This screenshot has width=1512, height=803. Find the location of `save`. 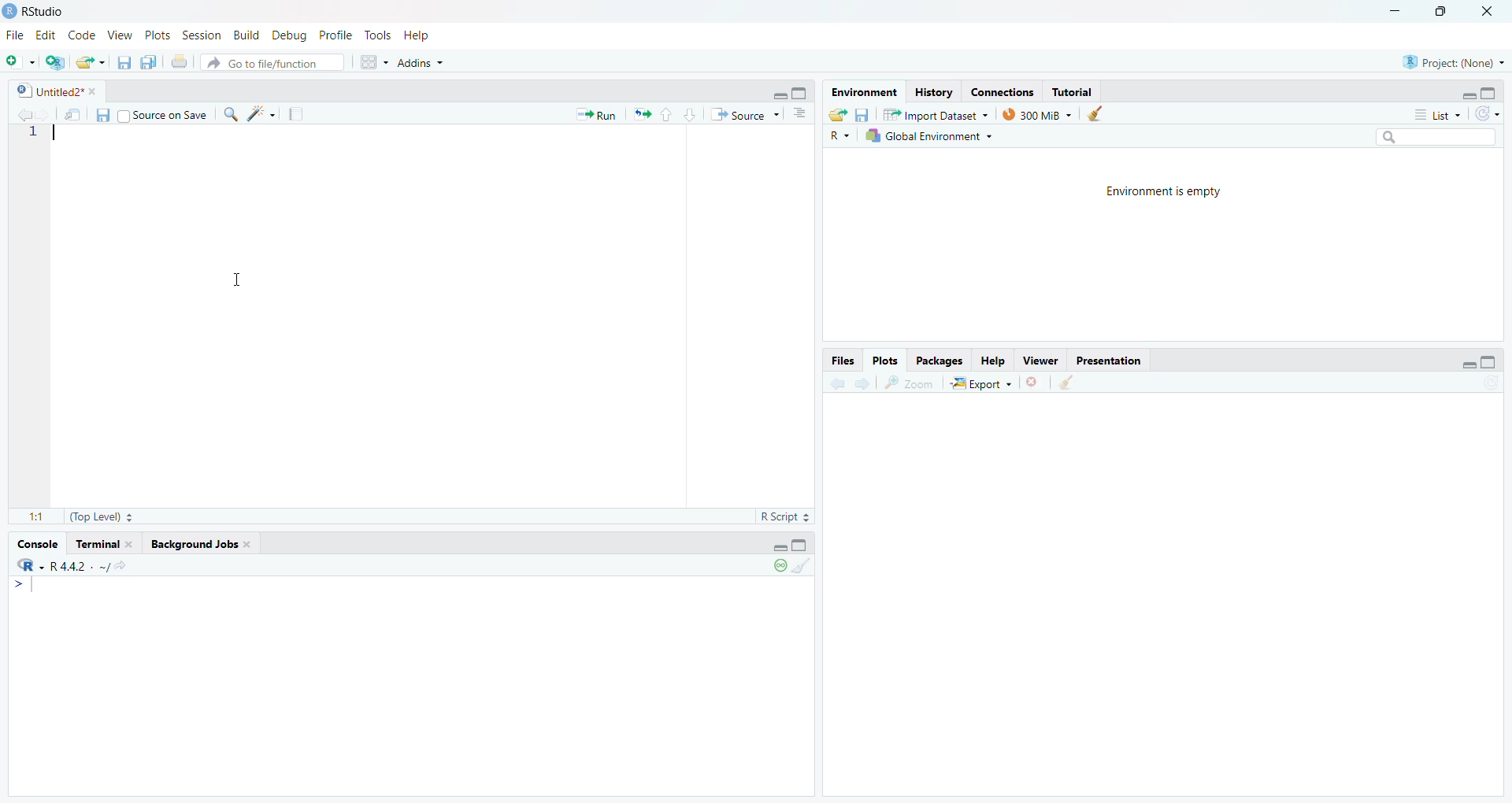

save is located at coordinates (865, 114).